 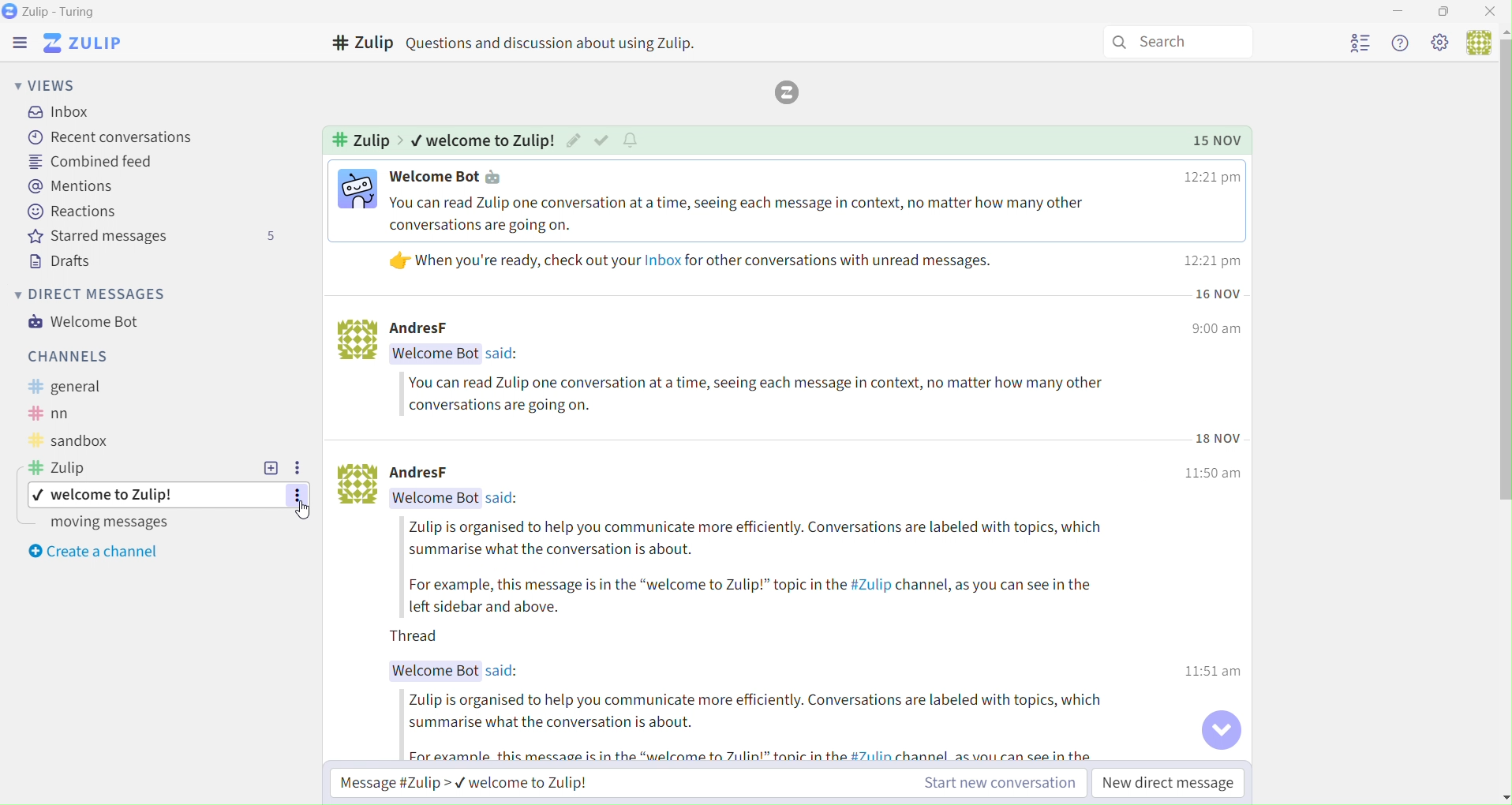 I want to click on Time, so click(x=1211, y=177).